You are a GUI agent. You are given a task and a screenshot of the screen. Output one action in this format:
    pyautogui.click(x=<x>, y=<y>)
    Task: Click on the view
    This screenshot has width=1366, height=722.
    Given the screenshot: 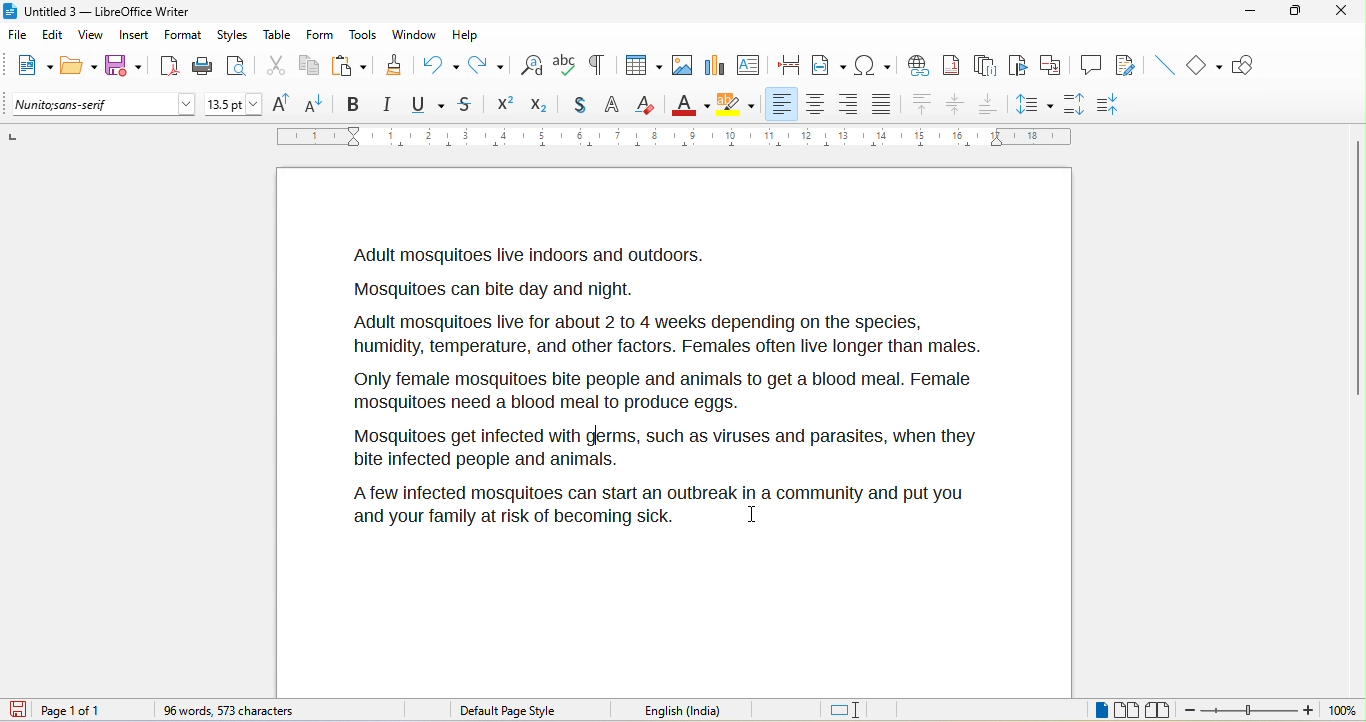 What is the action you would take?
    pyautogui.click(x=97, y=36)
    